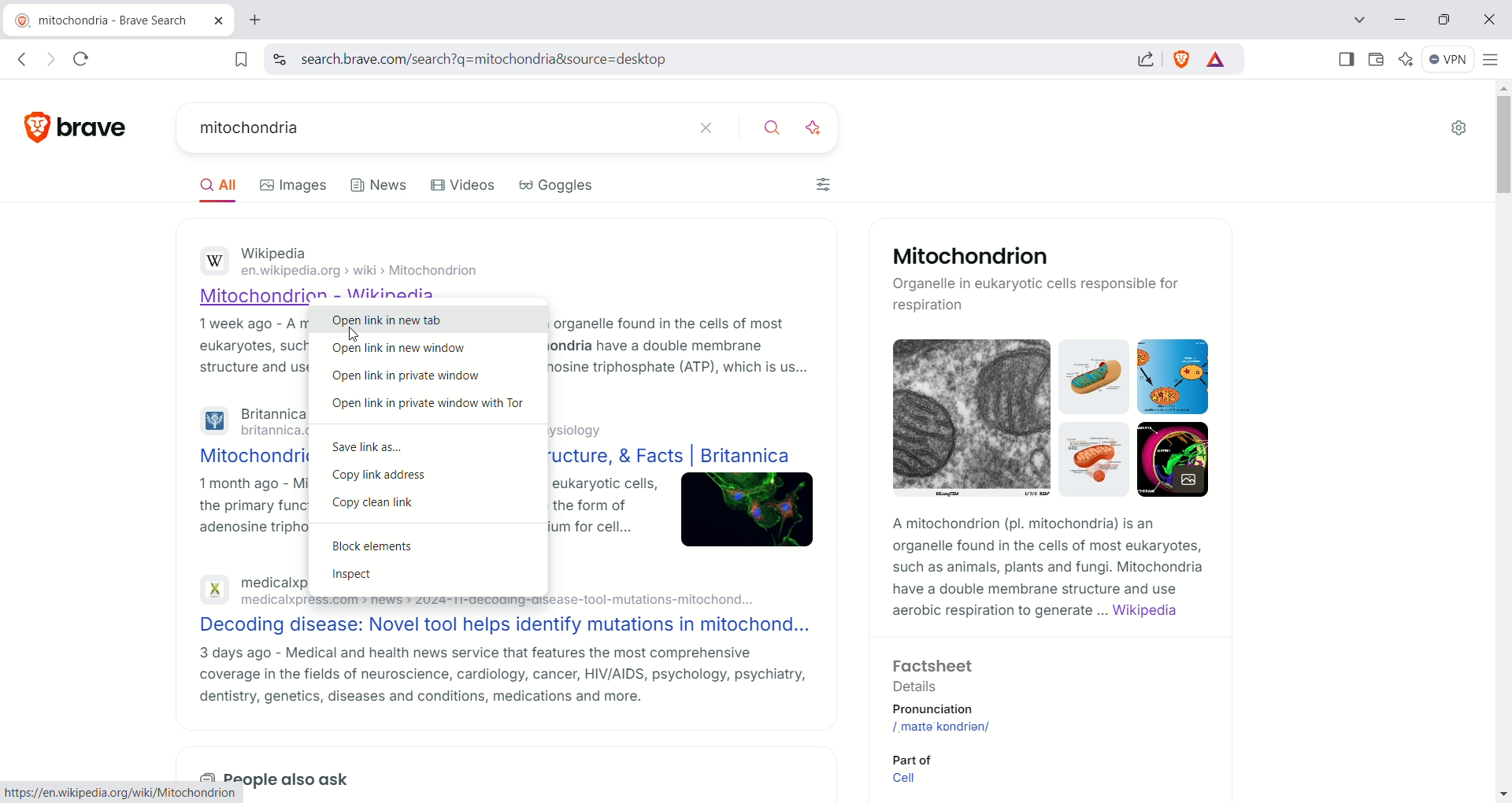 The image size is (1512, 803). Describe the element at coordinates (691, 61) in the screenshot. I see `search` at that location.